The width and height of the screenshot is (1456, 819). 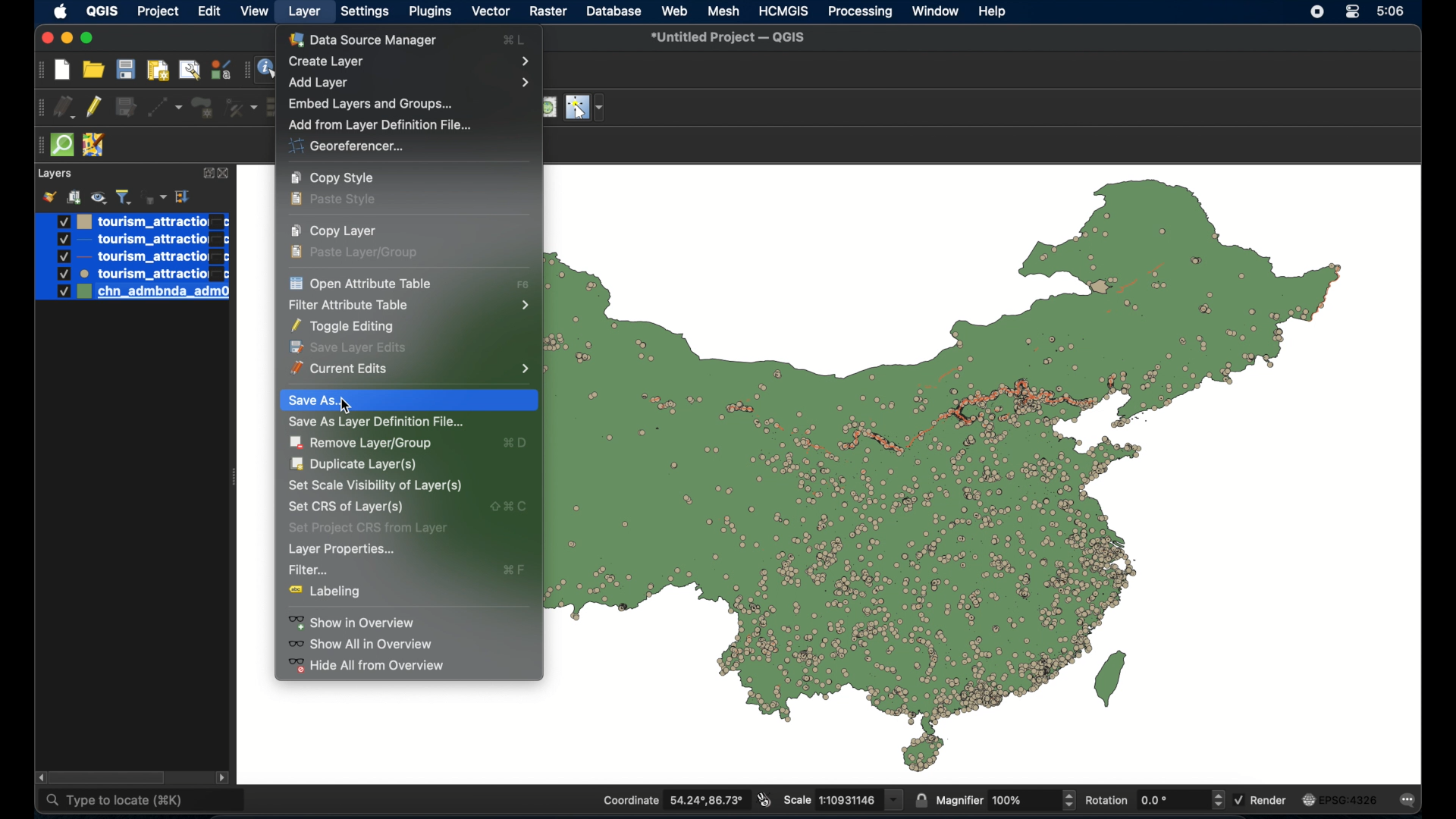 I want to click on minimize, so click(x=67, y=39).